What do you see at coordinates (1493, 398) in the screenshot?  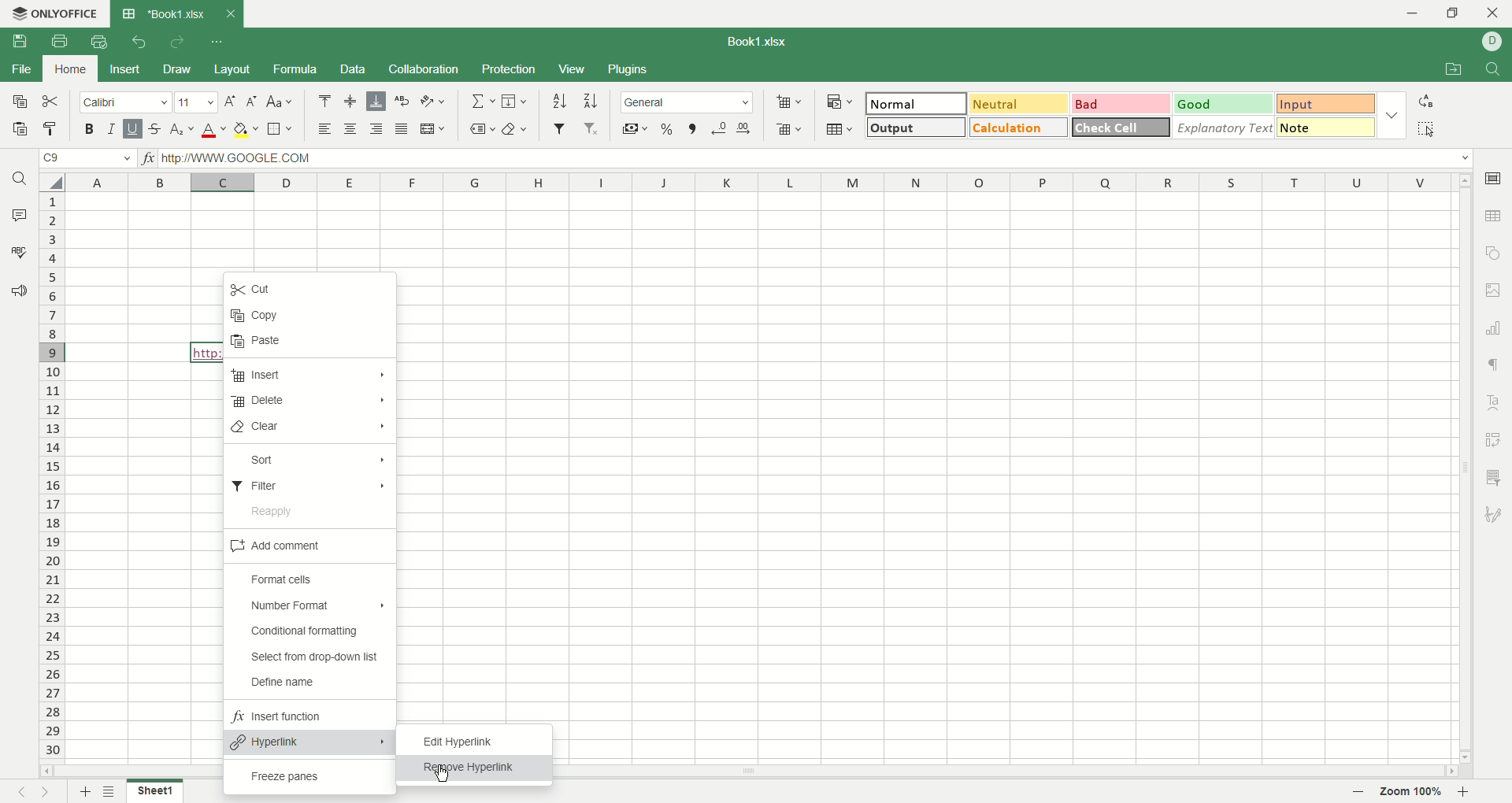 I see `text art settings` at bounding box center [1493, 398].